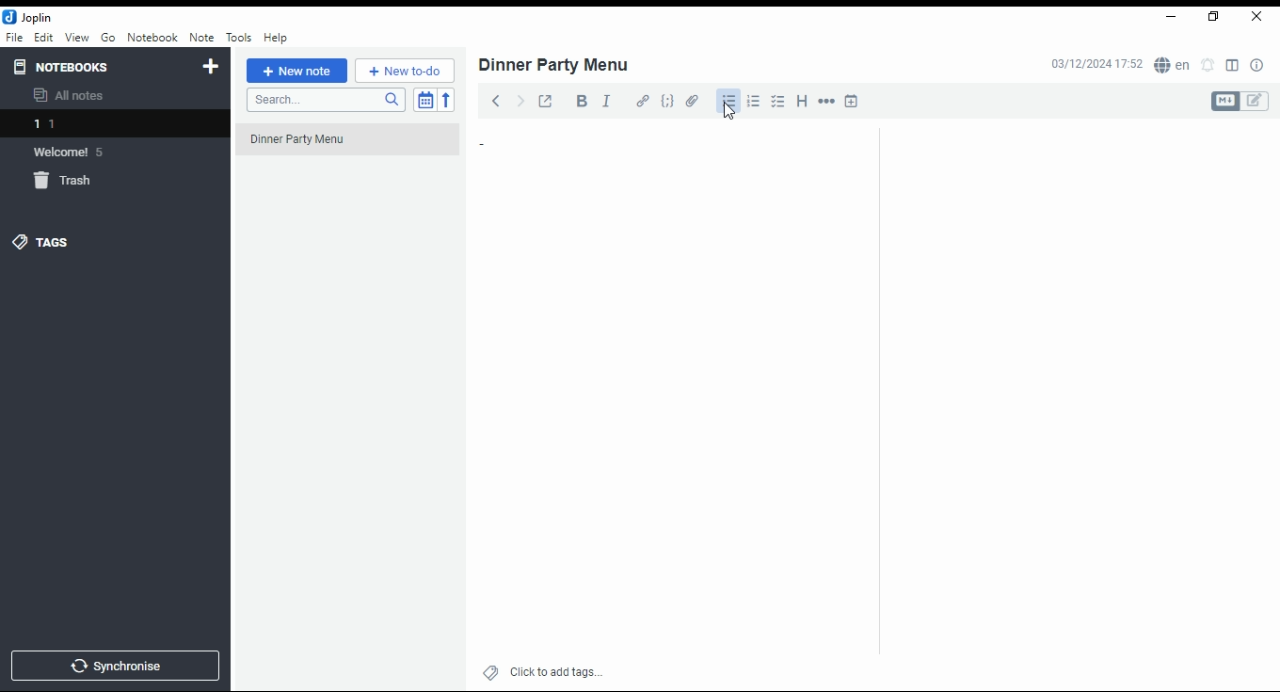 This screenshot has height=692, width=1280. I want to click on new to-do list, so click(405, 71).